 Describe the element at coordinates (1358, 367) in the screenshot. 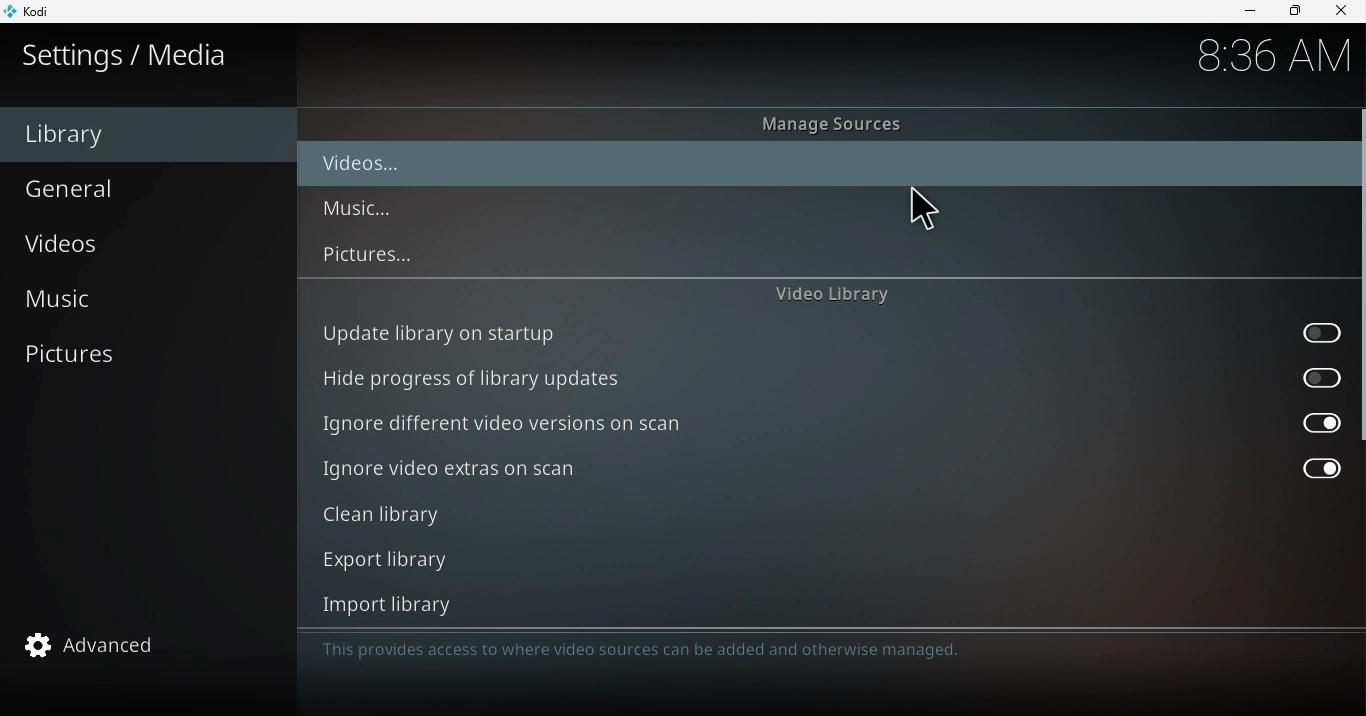

I see `scroll bar` at that location.